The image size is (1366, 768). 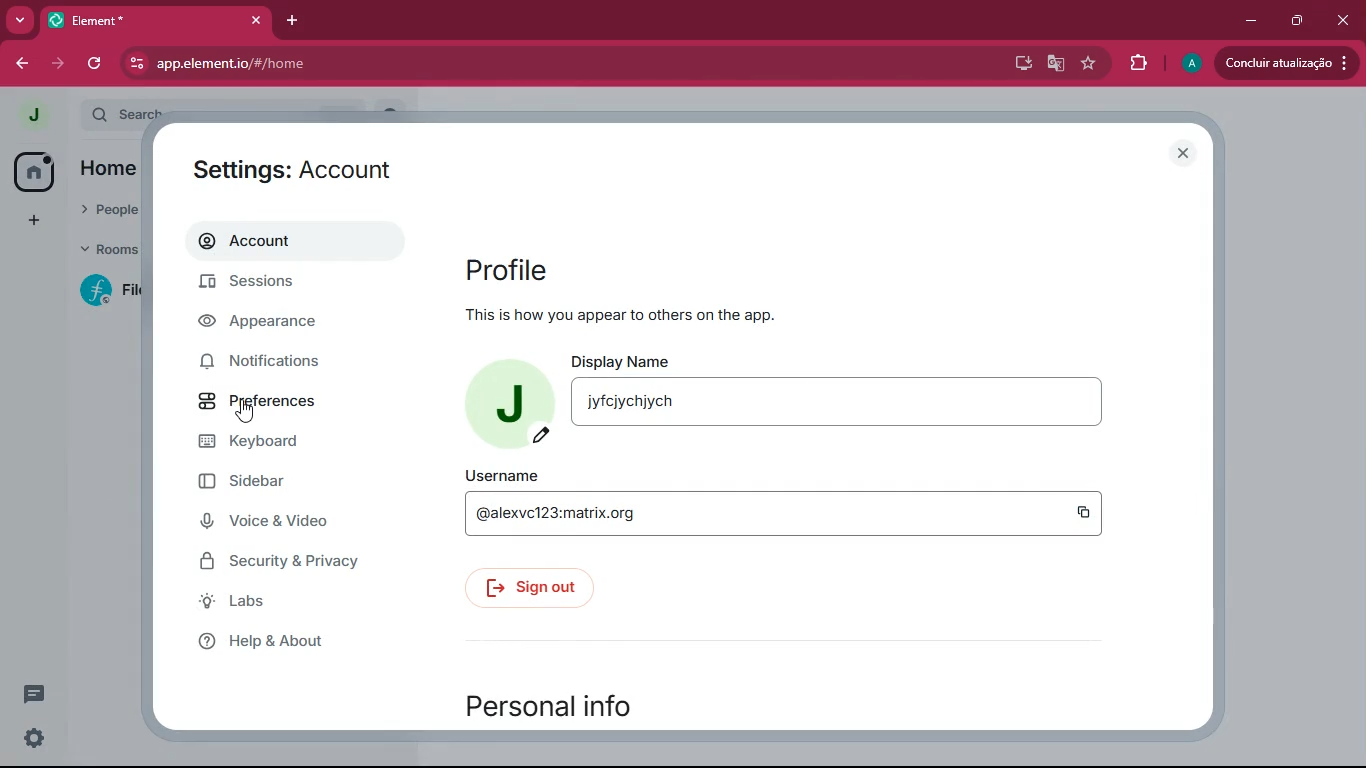 I want to click on home, so click(x=35, y=172).